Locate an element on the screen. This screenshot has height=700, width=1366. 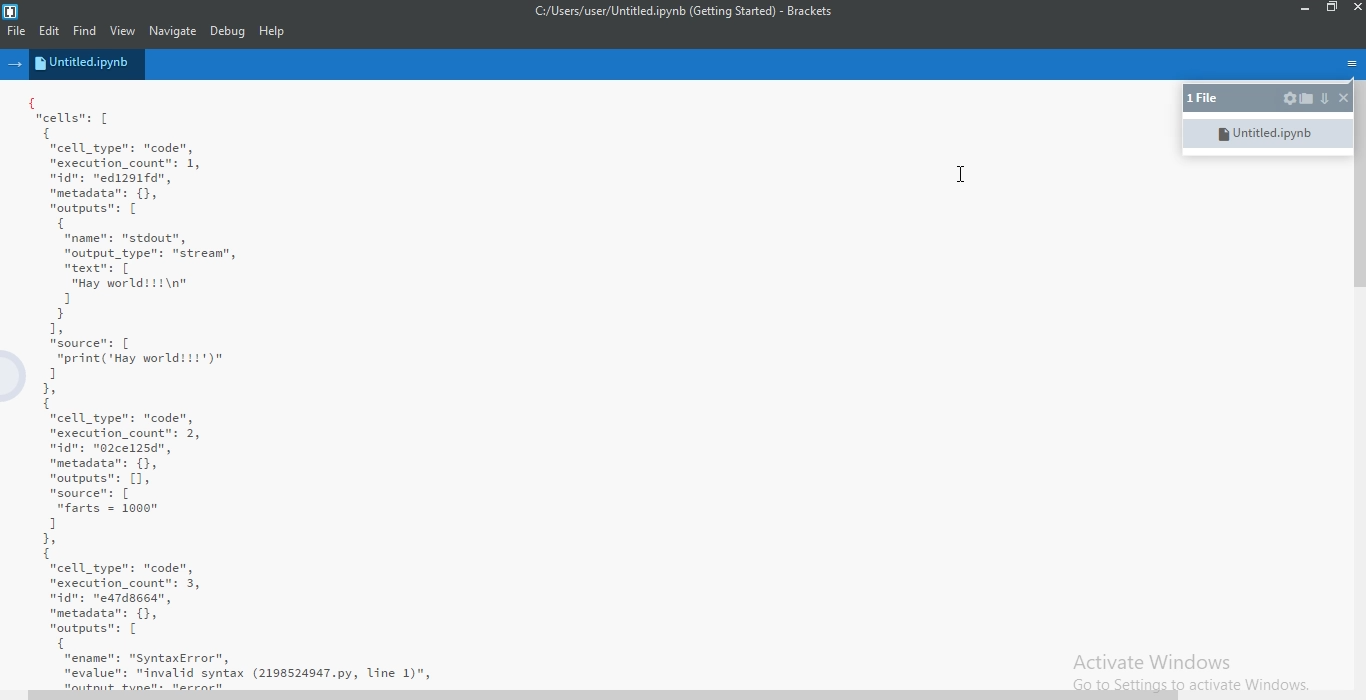
1 files is located at coordinates (1208, 99).